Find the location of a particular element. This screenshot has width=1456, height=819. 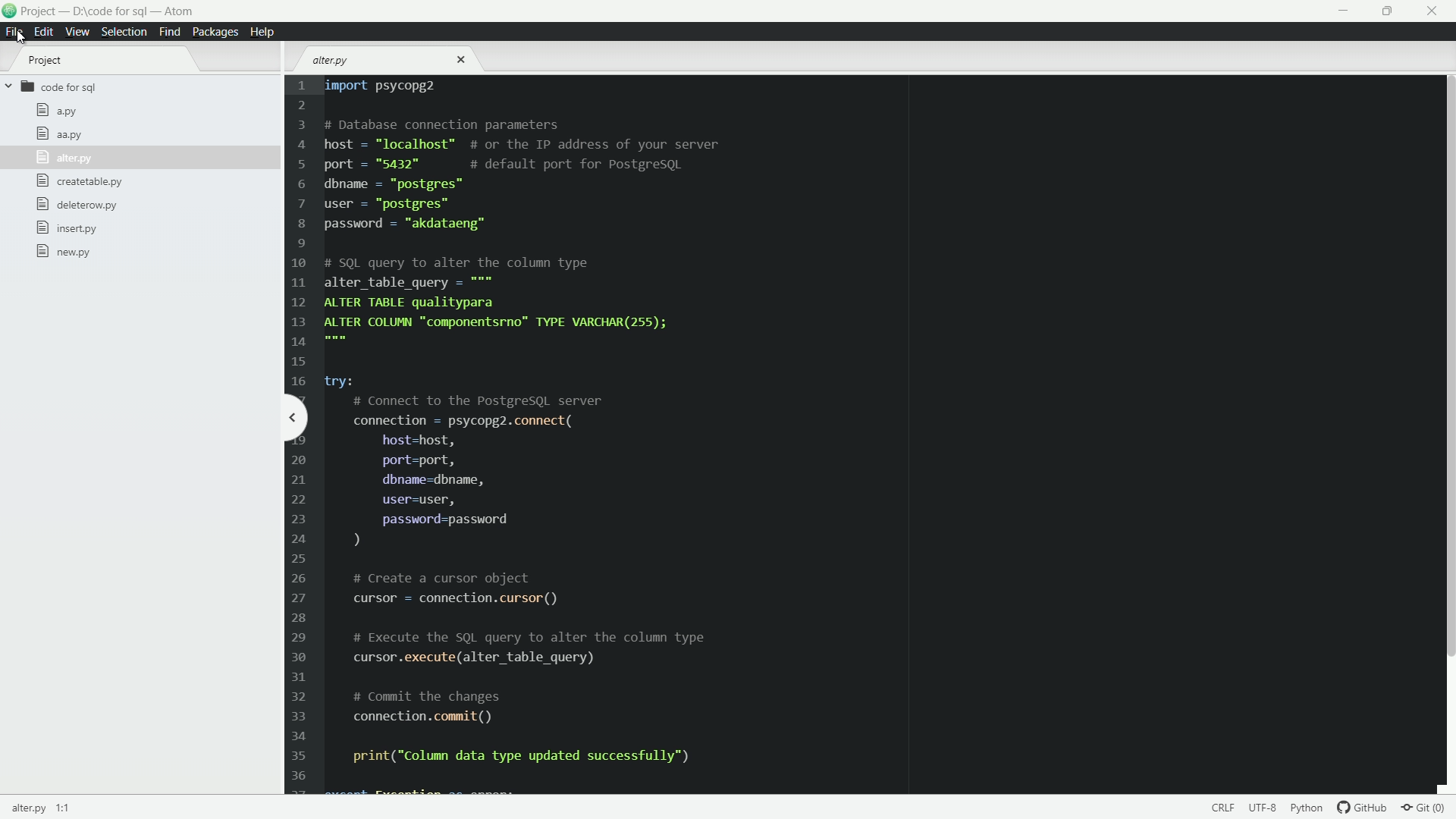

scroll bar is located at coordinates (1447, 368).